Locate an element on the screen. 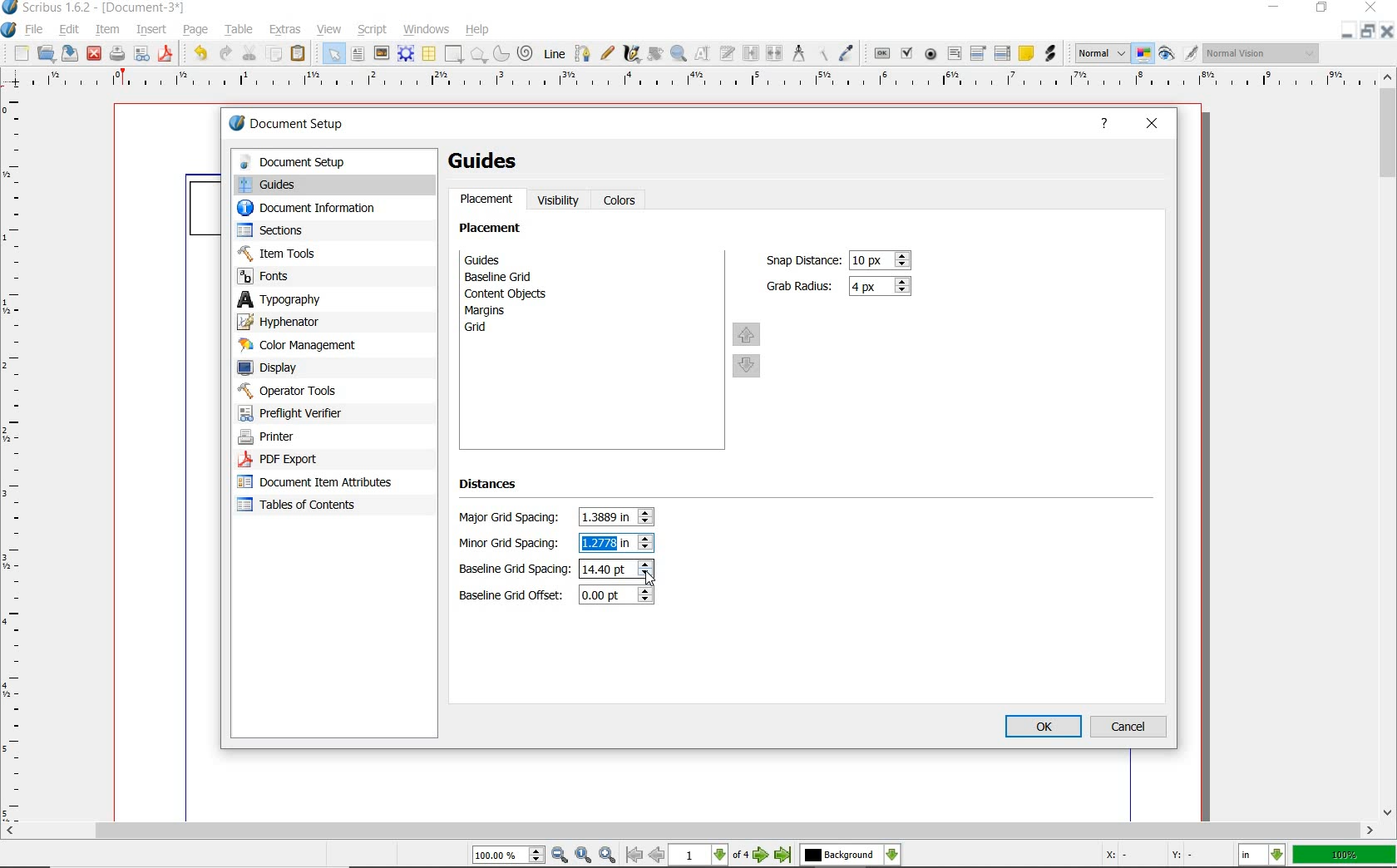  text frame is located at coordinates (358, 56).